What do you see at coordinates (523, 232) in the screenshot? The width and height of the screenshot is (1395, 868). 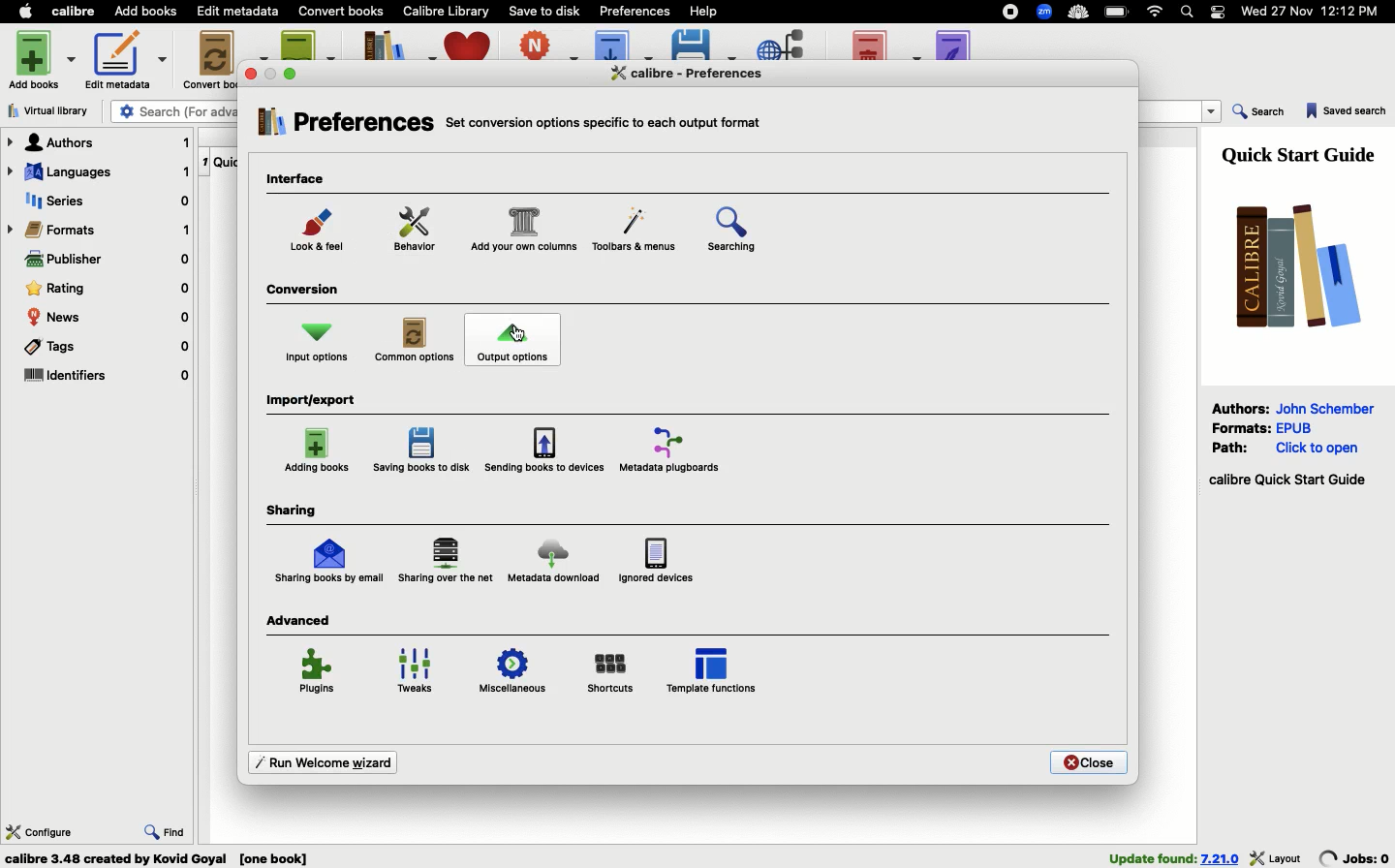 I see `Customize columns` at bounding box center [523, 232].